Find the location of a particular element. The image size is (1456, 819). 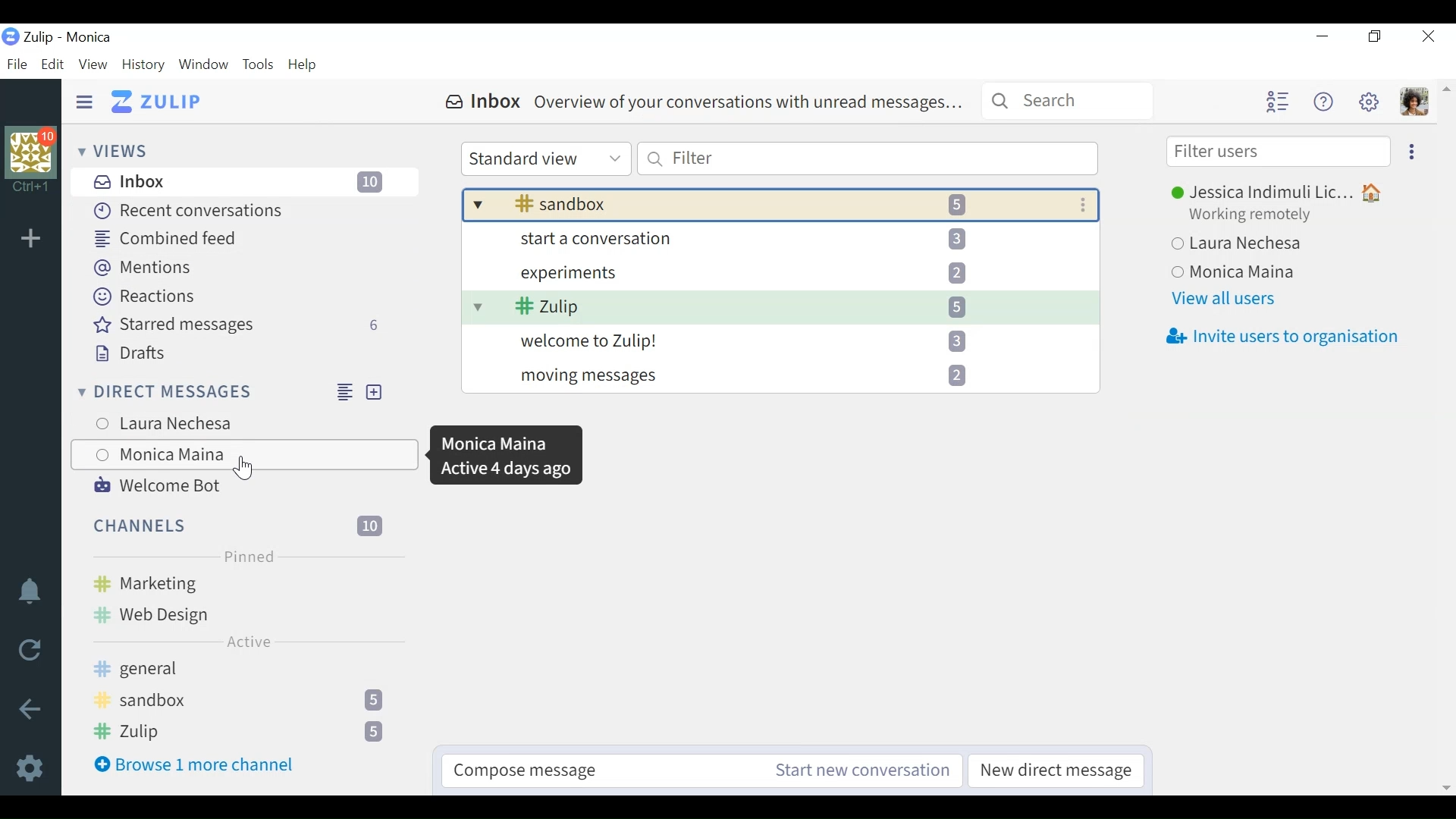

Welcome Bot is located at coordinates (156, 486).